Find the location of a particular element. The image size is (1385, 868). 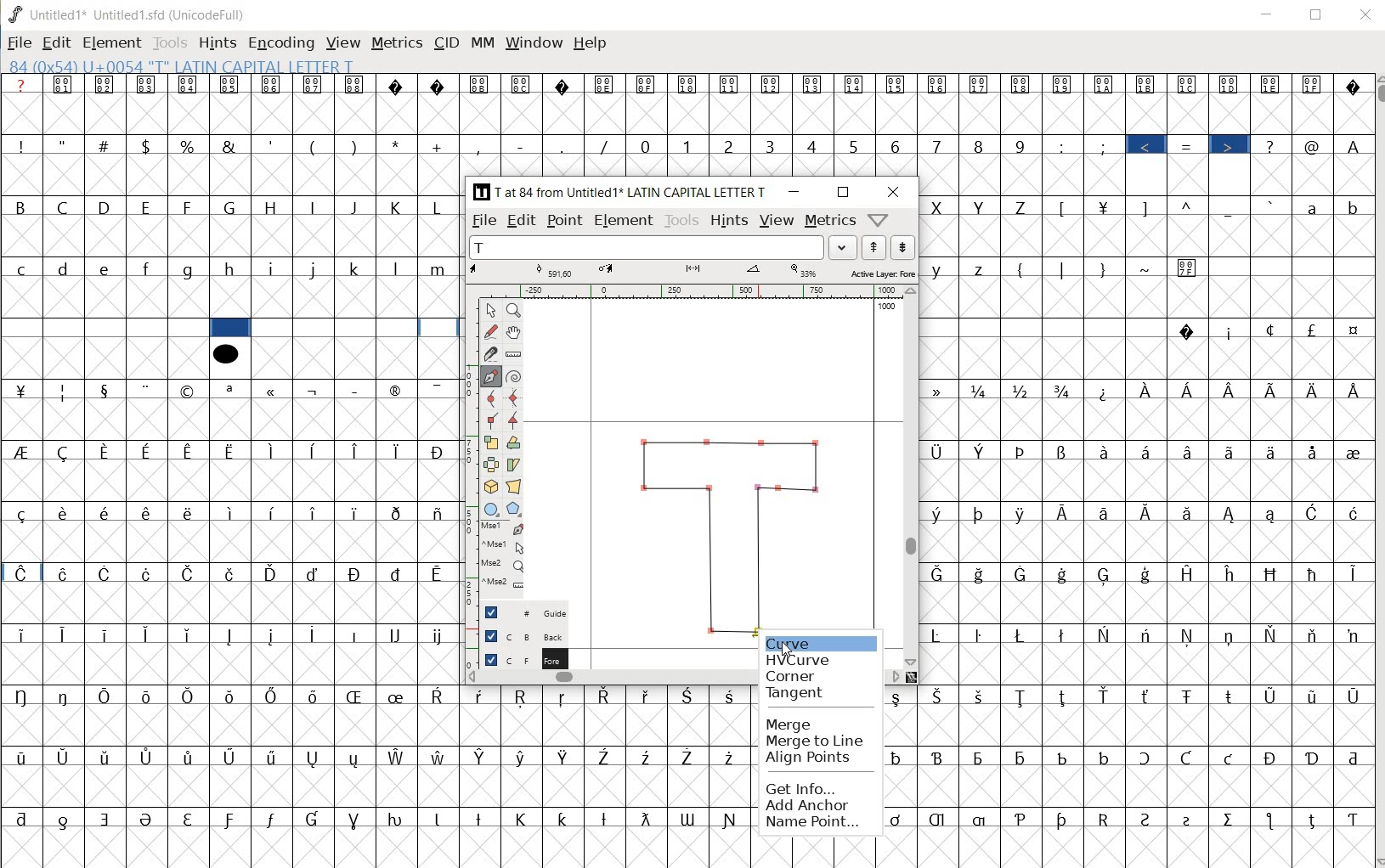

Symbol is located at coordinates (272, 451).